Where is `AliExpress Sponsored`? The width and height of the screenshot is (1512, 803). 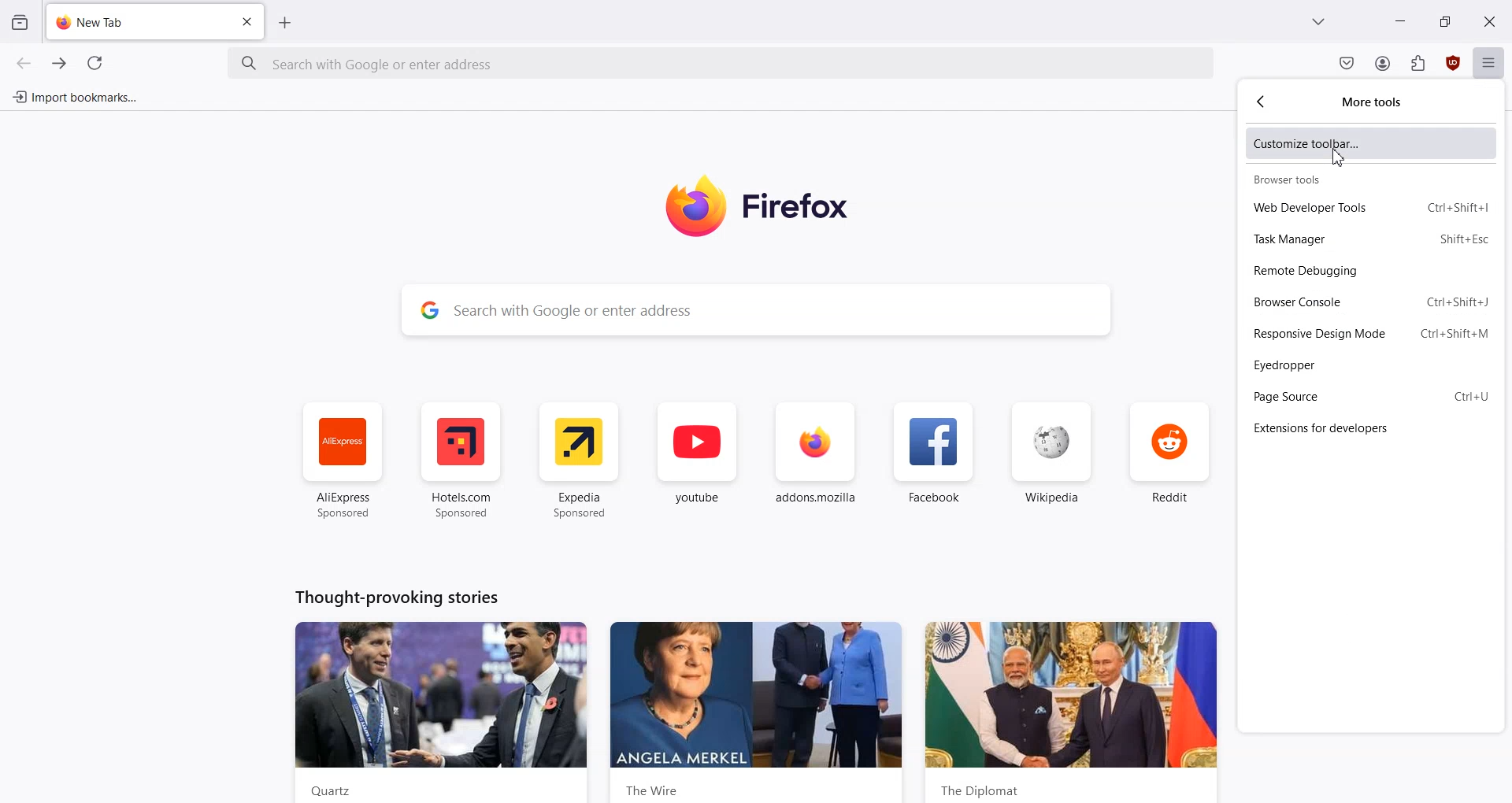
AliExpress Sponsored is located at coordinates (339, 461).